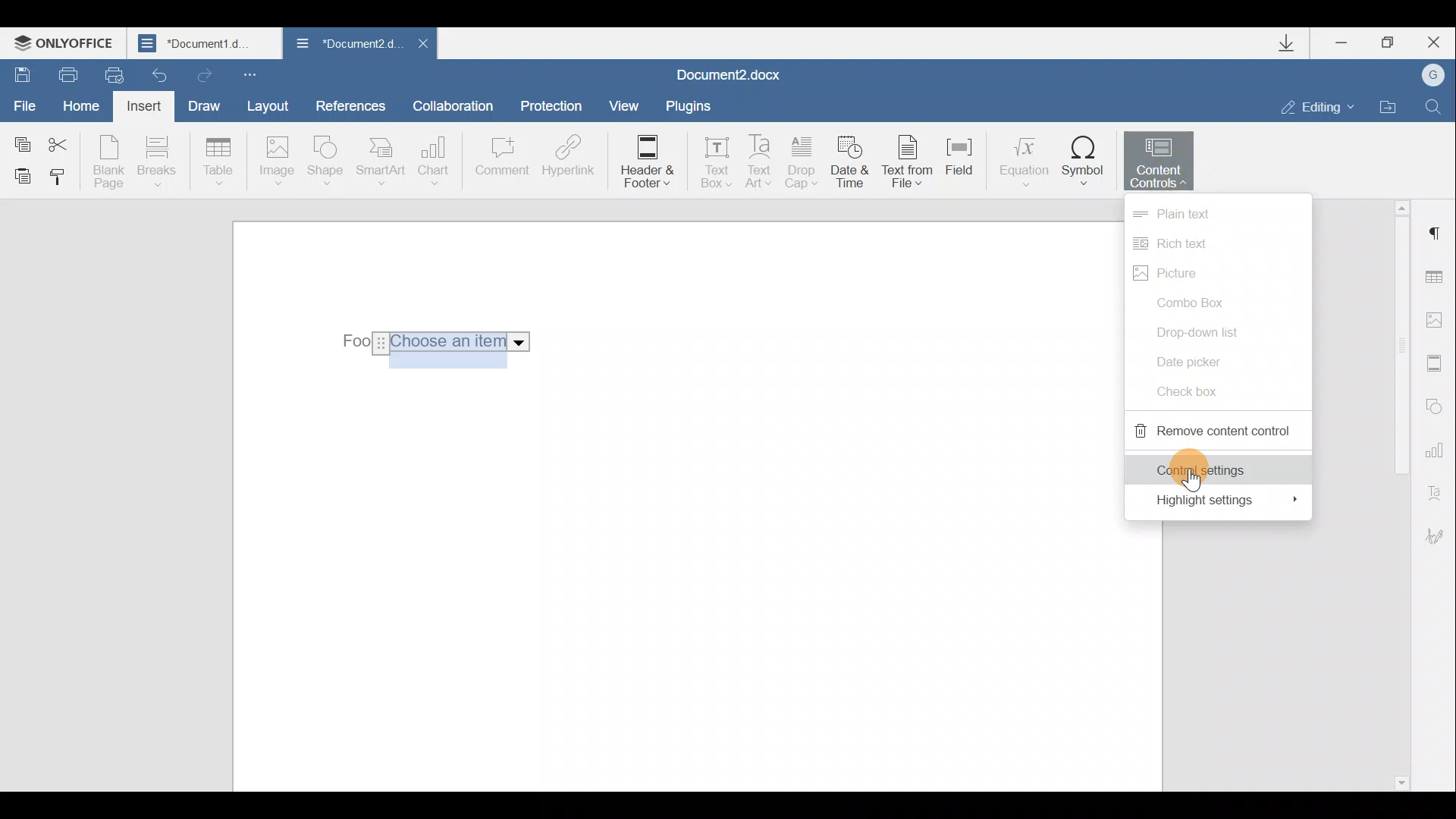 This screenshot has width=1456, height=819. I want to click on Cut, so click(67, 142).